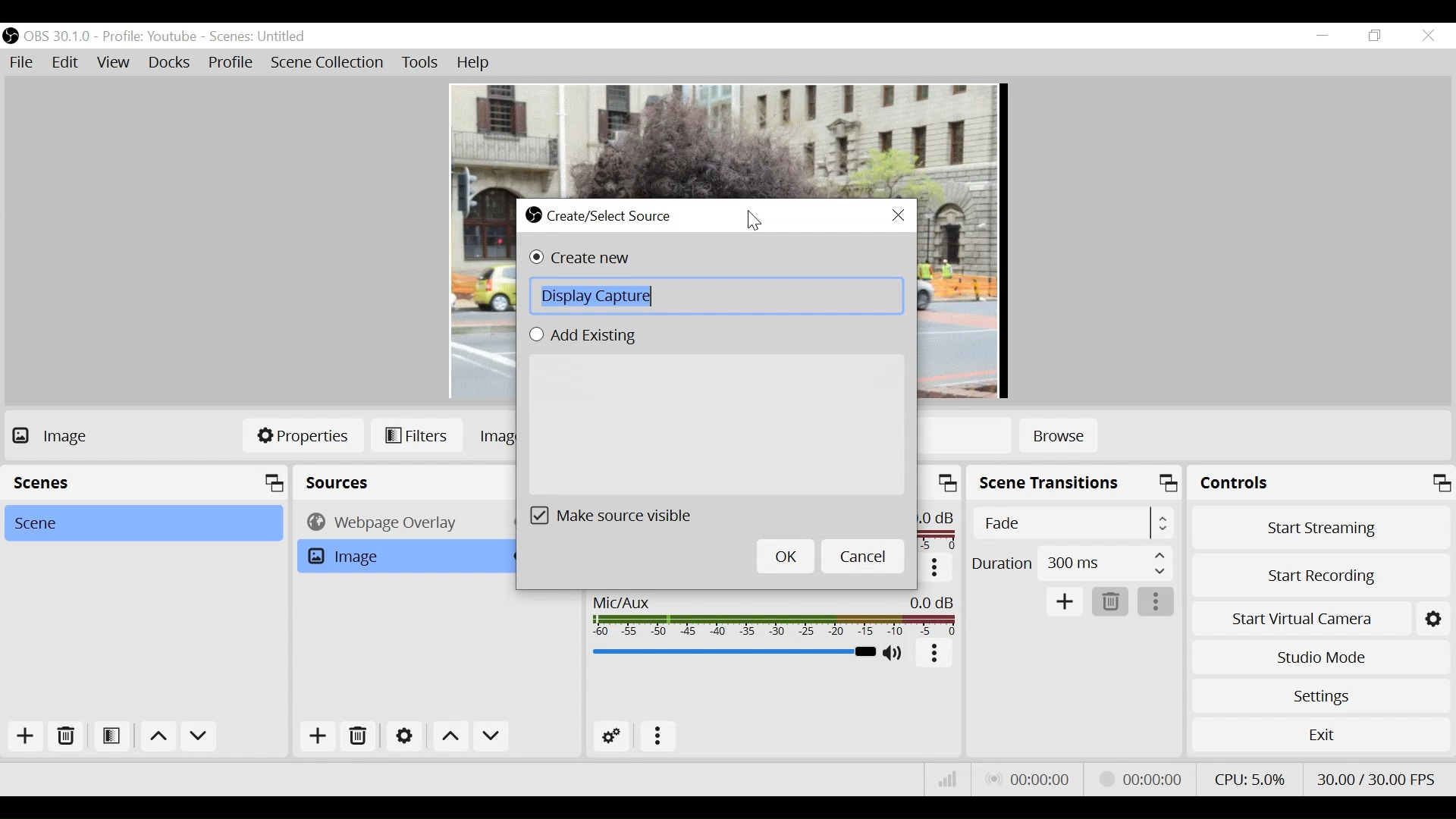 The image size is (1456, 819). What do you see at coordinates (899, 215) in the screenshot?
I see `Close` at bounding box center [899, 215].